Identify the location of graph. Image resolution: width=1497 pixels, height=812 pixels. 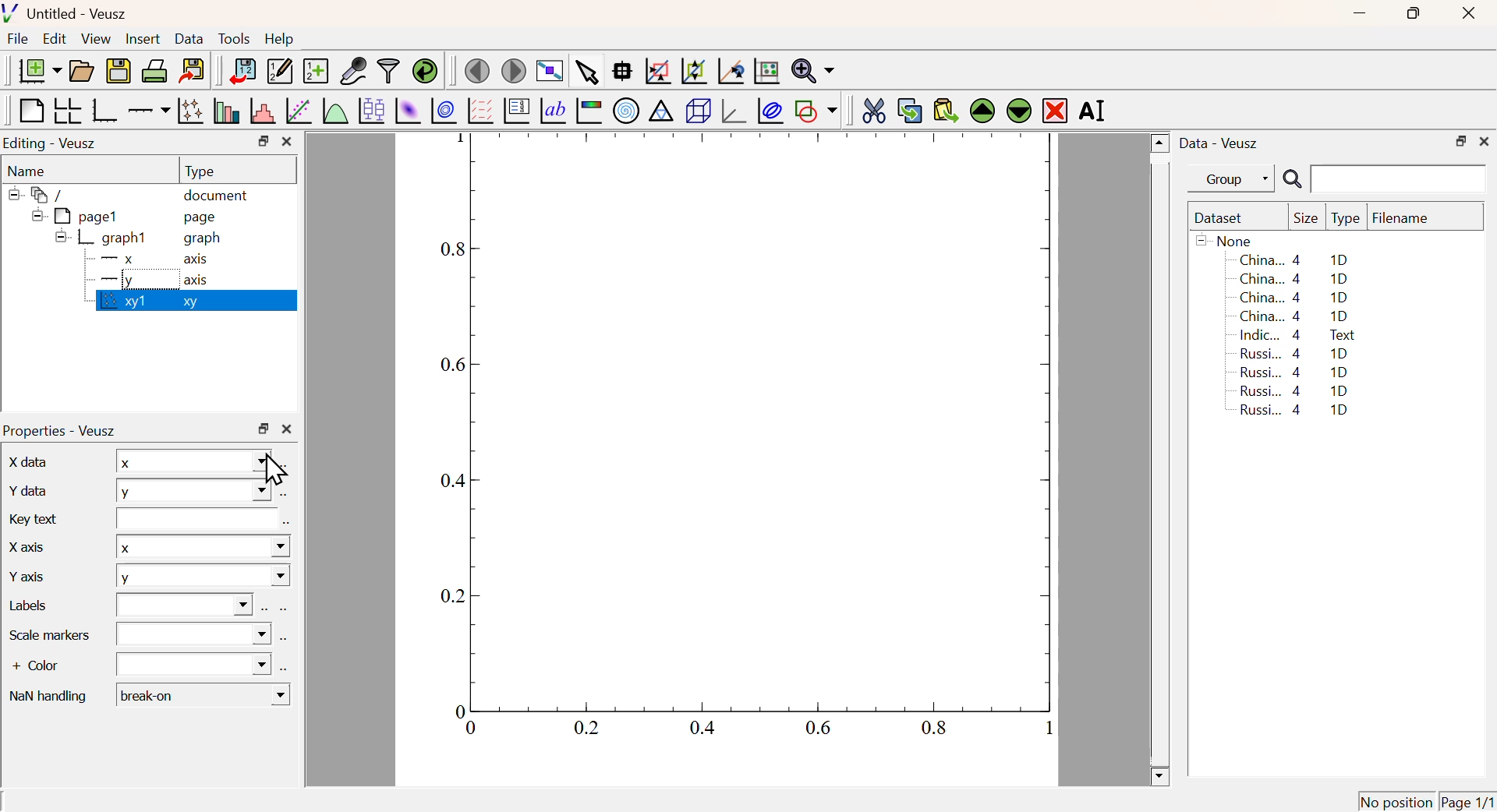
(204, 239).